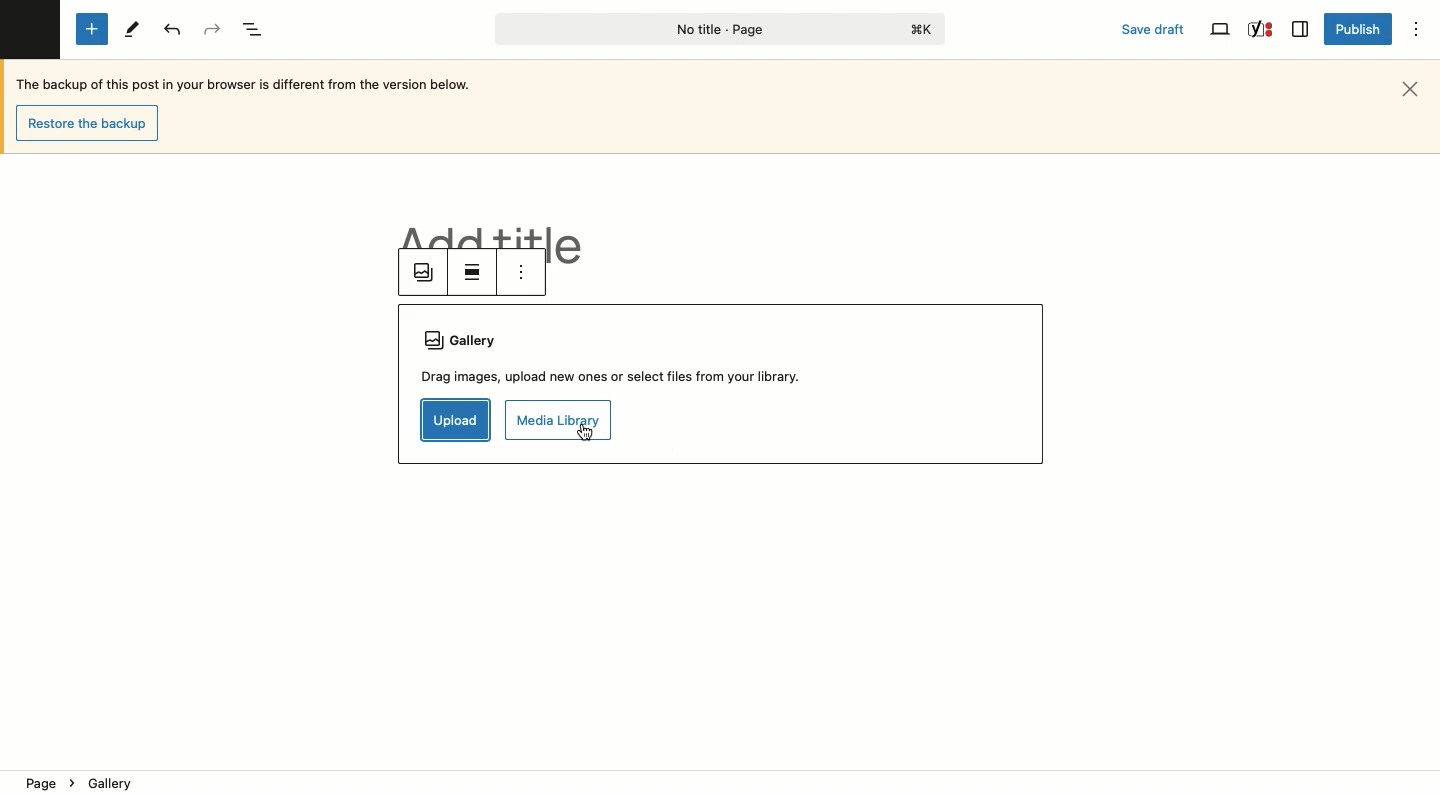 The image size is (1440, 794). What do you see at coordinates (174, 31) in the screenshot?
I see `Undo` at bounding box center [174, 31].